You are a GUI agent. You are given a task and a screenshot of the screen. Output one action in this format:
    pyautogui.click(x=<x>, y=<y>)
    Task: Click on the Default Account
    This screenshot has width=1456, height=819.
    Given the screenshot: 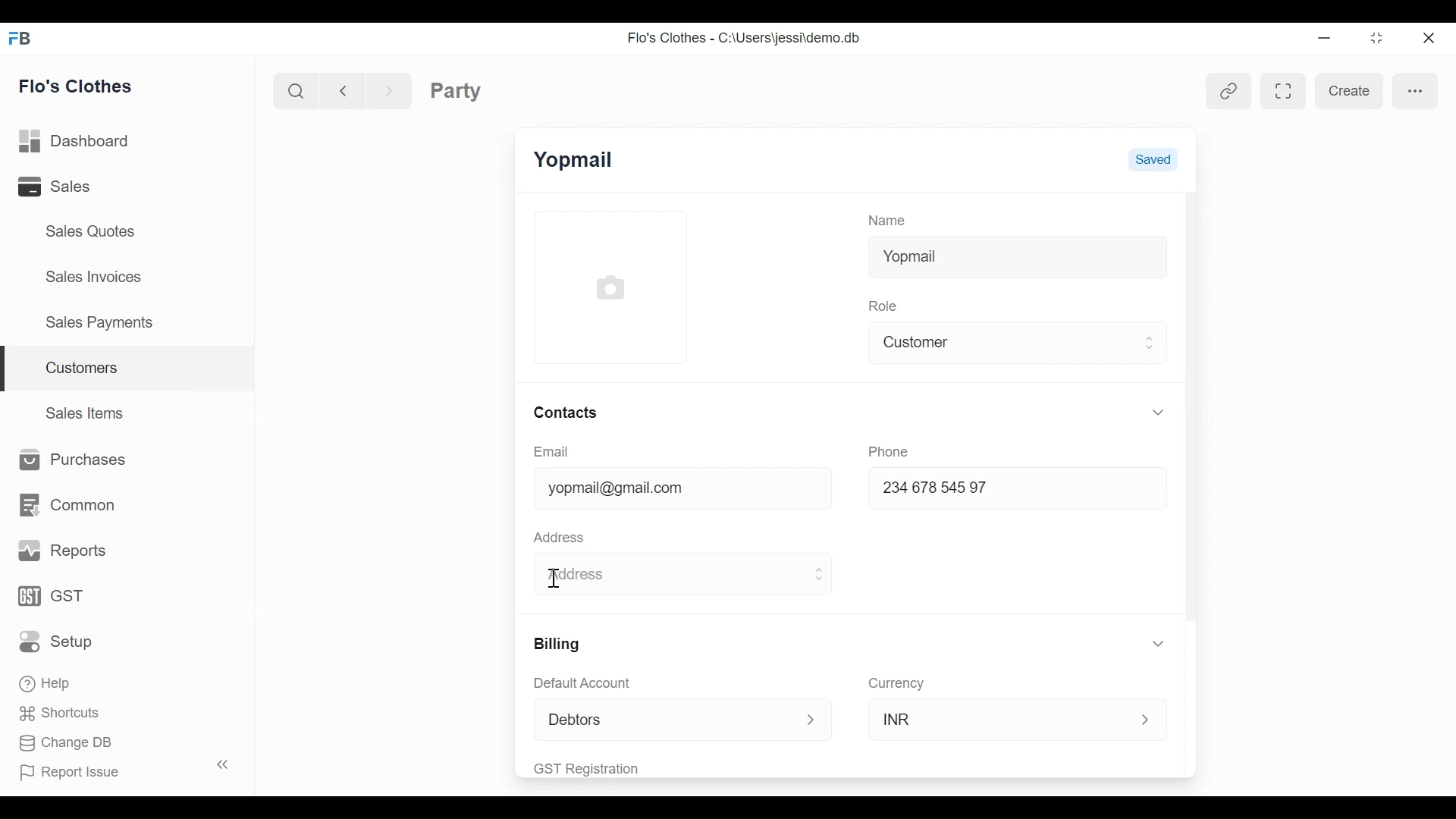 What is the action you would take?
    pyautogui.click(x=599, y=684)
    